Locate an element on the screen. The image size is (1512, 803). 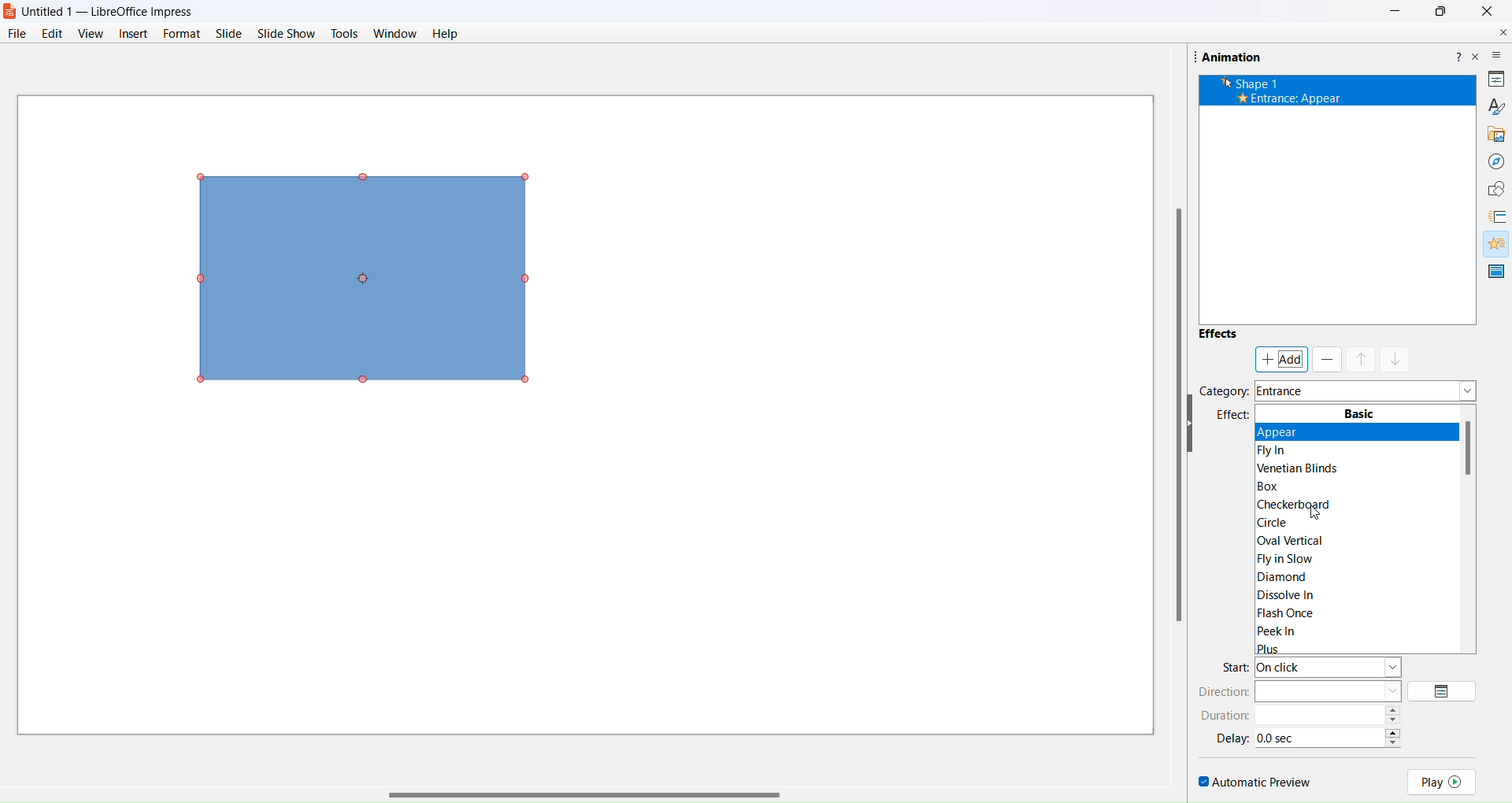
options is located at coordinates (1444, 691).